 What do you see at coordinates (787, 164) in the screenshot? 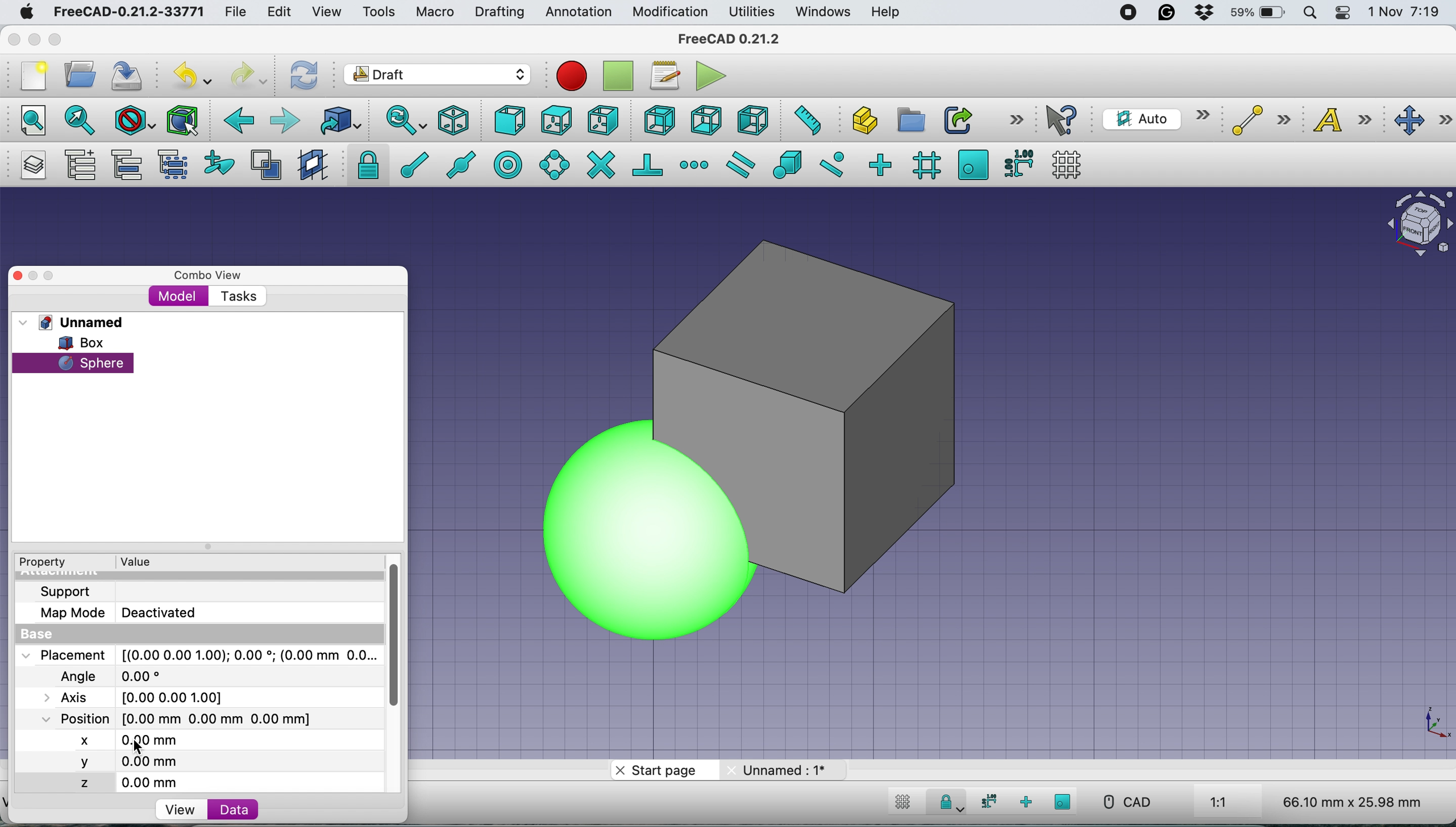
I see `snap special` at bounding box center [787, 164].